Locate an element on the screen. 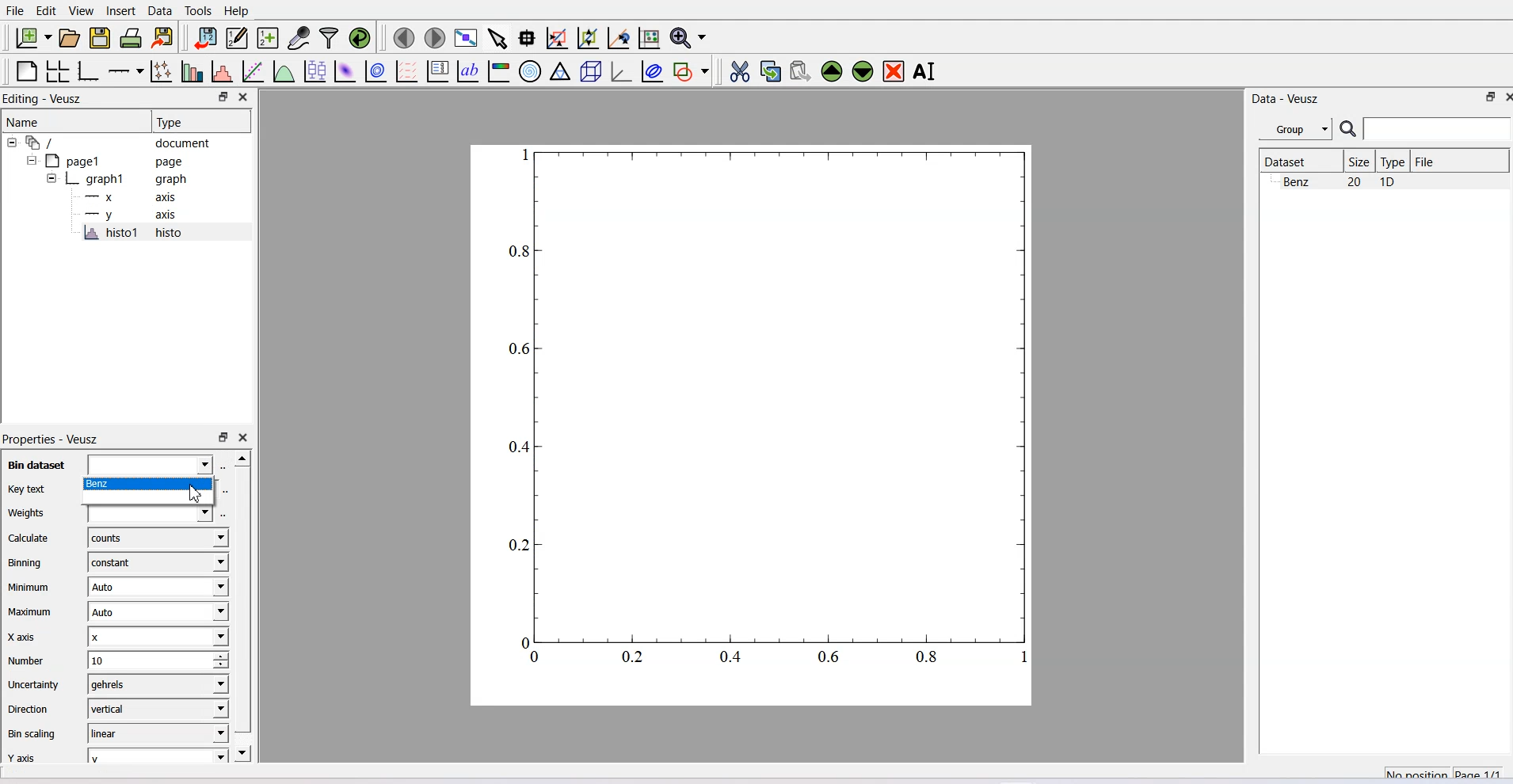 The height and width of the screenshot is (784, 1513). Arrange graph in grid is located at coordinates (57, 71).